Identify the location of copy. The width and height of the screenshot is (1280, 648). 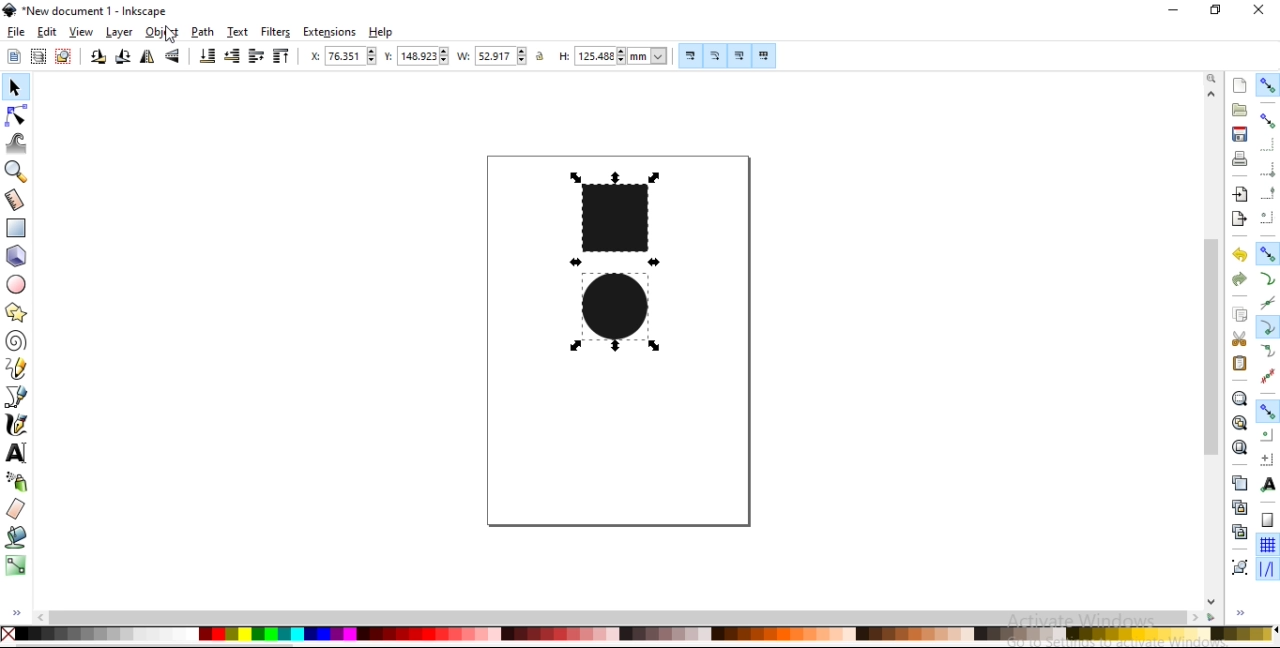
(1241, 316).